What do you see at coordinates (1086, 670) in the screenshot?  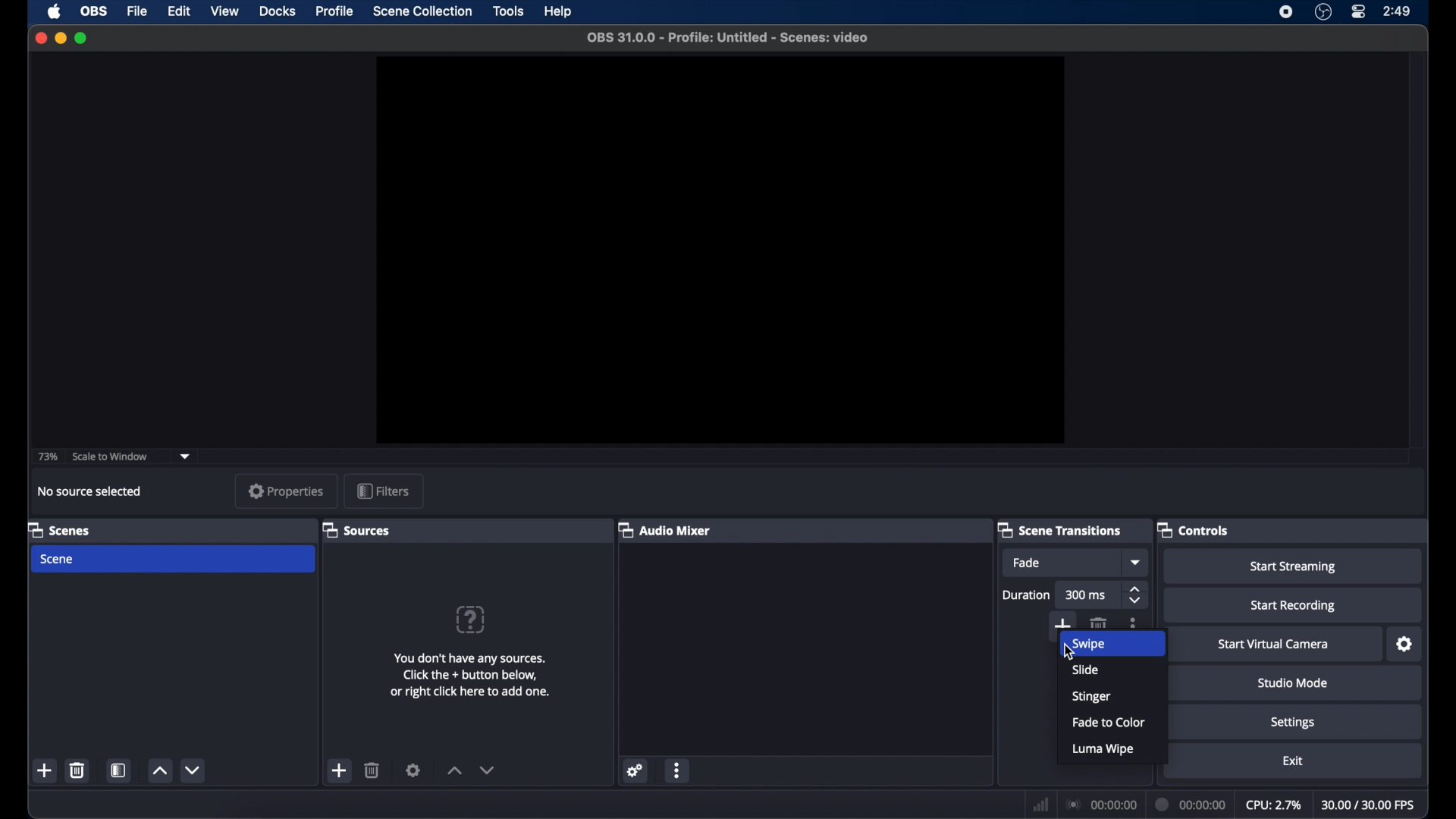 I see `slide` at bounding box center [1086, 670].